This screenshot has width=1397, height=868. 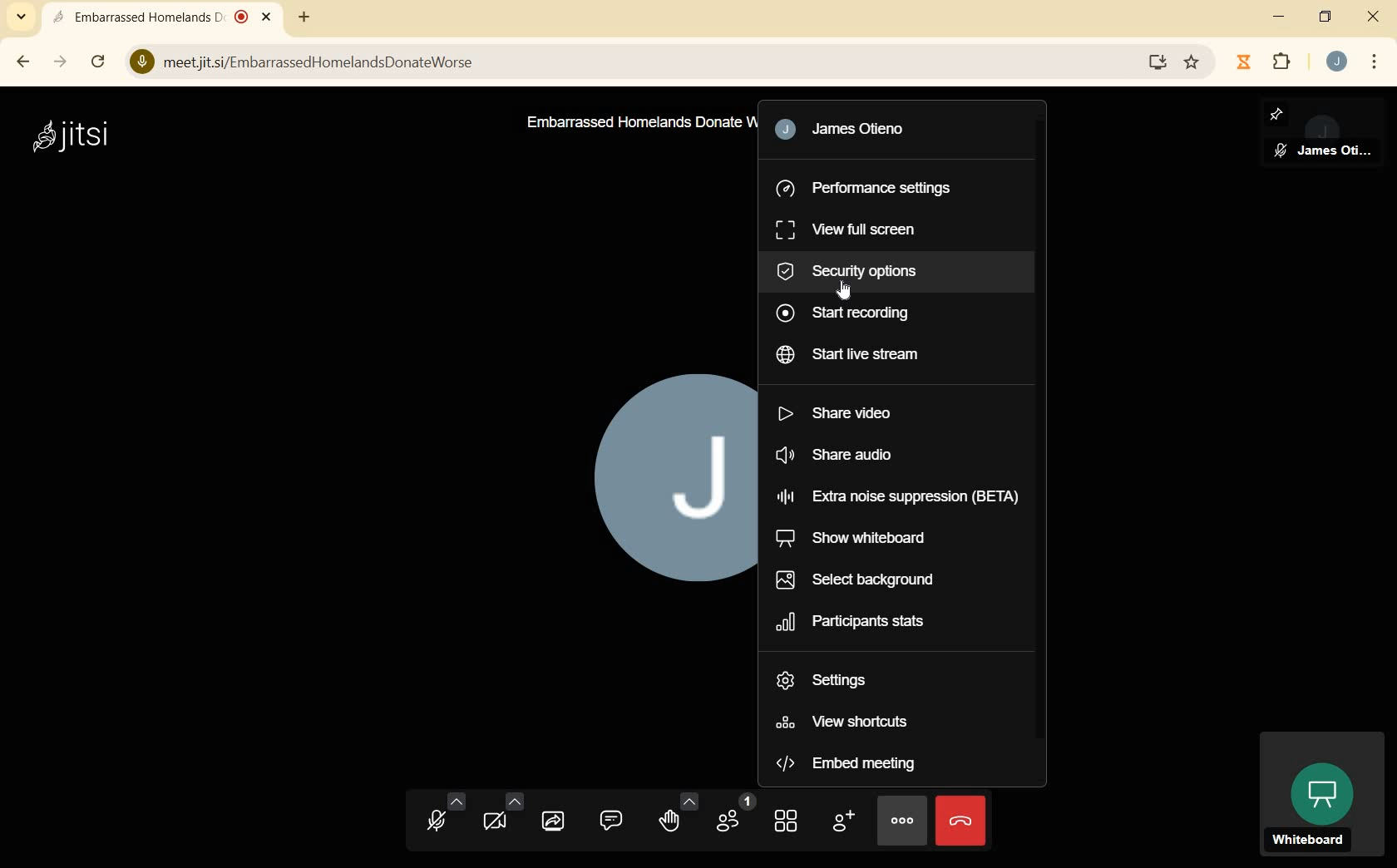 I want to click on video, so click(x=499, y=816).